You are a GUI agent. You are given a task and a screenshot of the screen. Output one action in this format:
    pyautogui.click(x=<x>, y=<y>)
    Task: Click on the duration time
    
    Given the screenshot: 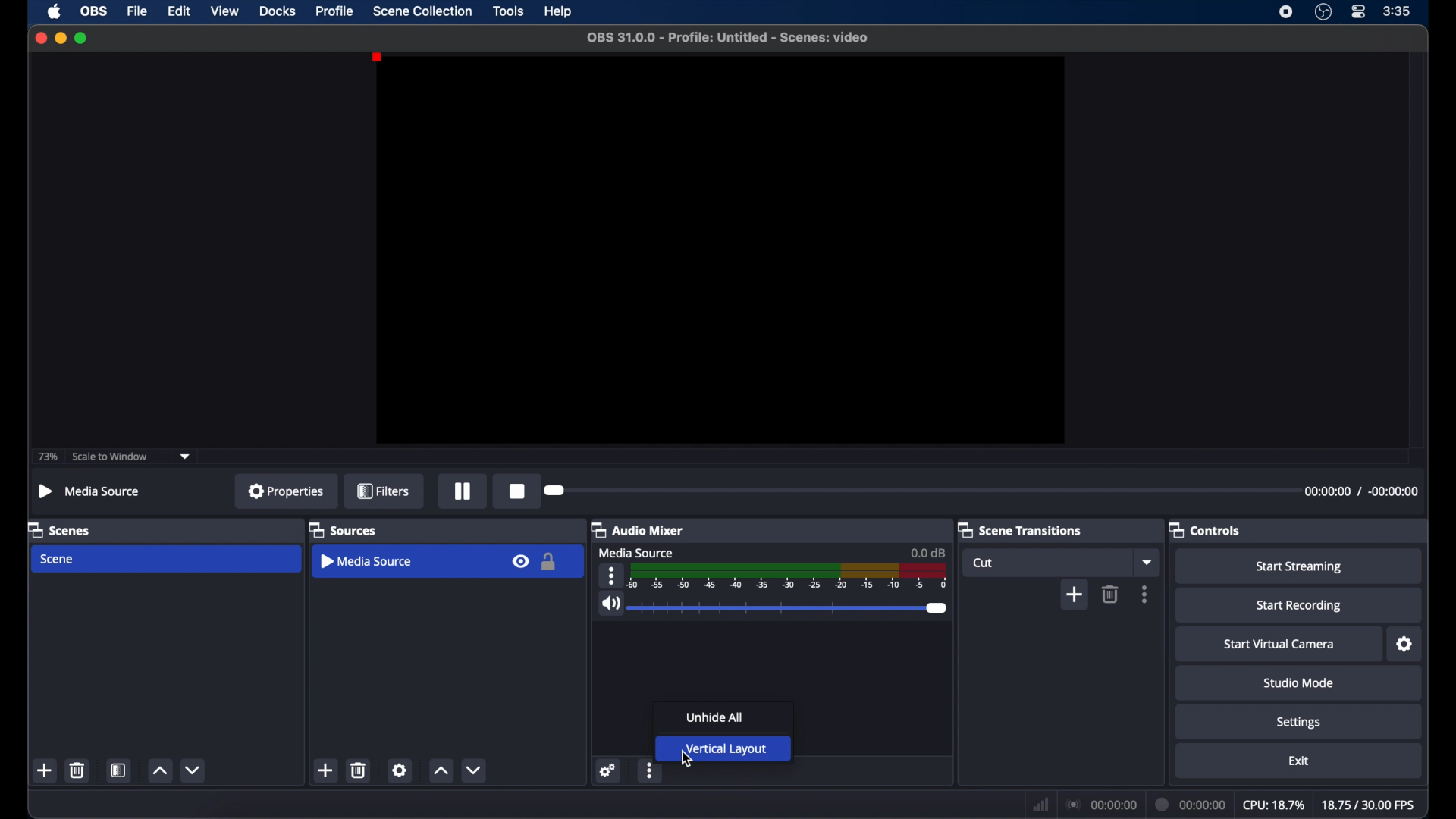 What is the action you would take?
    pyautogui.click(x=1360, y=491)
    